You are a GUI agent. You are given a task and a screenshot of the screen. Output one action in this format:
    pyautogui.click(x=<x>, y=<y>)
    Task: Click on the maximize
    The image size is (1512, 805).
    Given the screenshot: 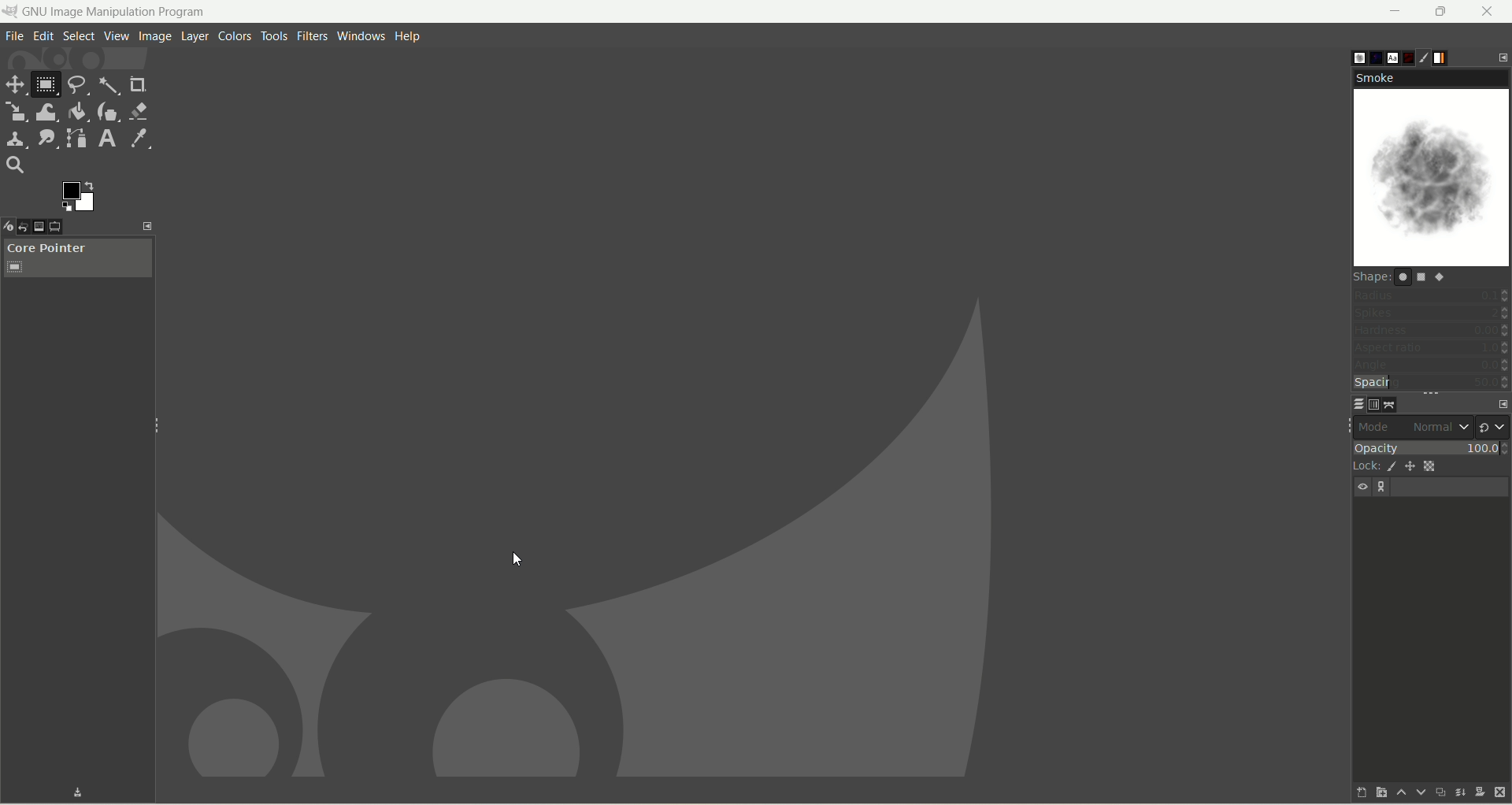 What is the action you would take?
    pyautogui.click(x=1442, y=12)
    